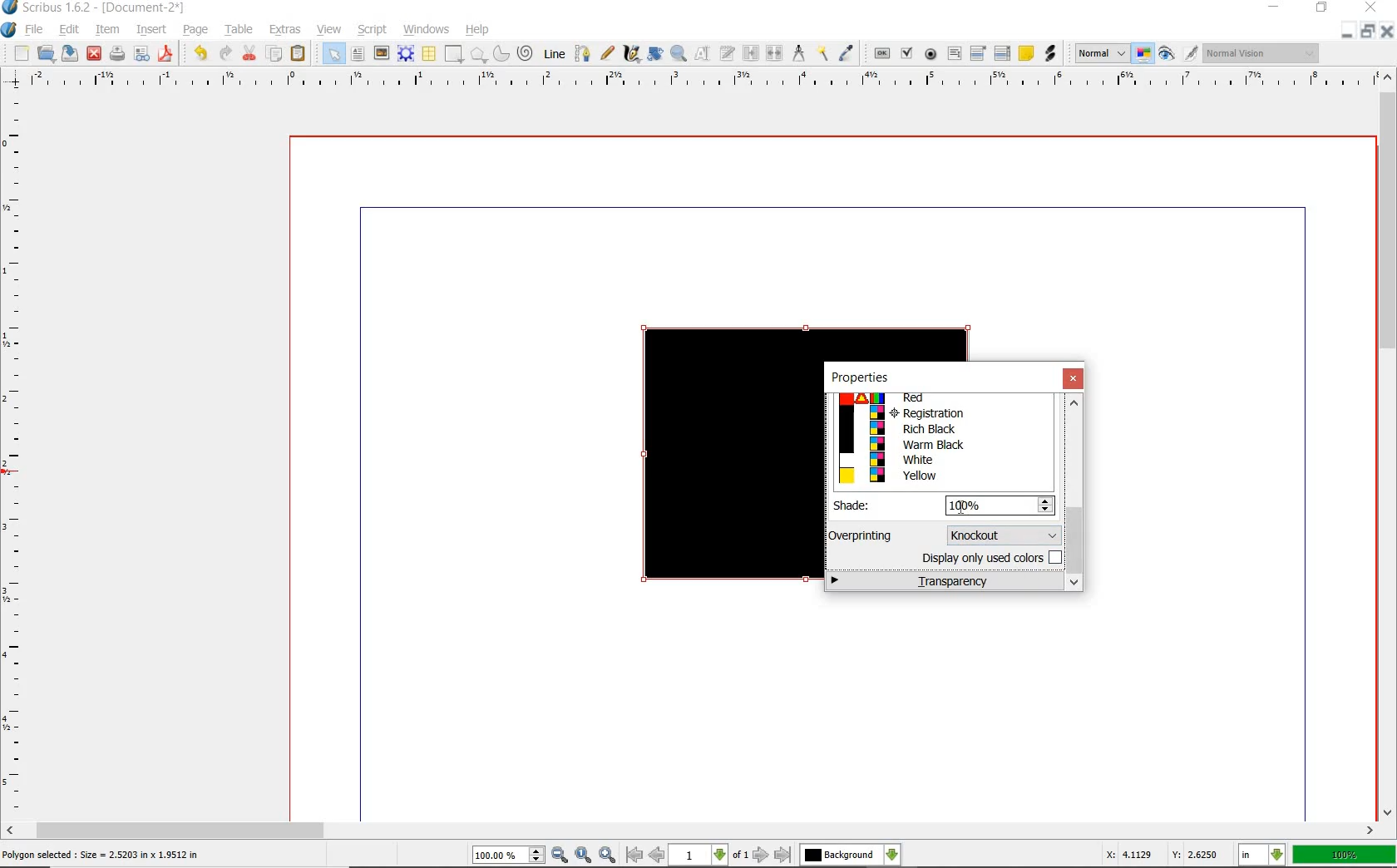 Image resolution: width=1397 pixels, height=868 pixels. Describe the element at coordinates (10, 31) in the screenshot. I see `system logo` at that location.